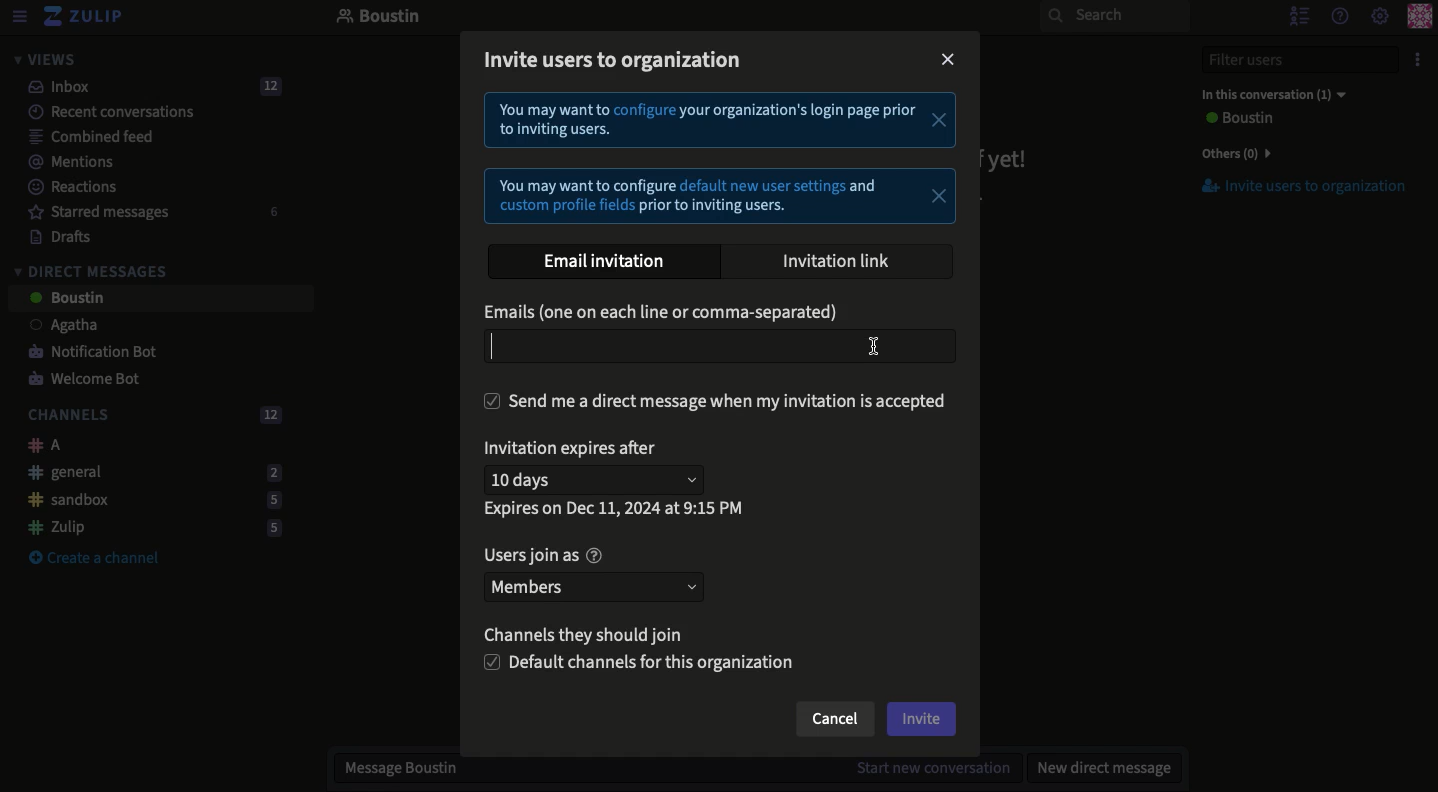 This screenshot has width=1438, height=792. Describe the element at coordinates (592, 585) in the screenshot. I see `Members` at that location.